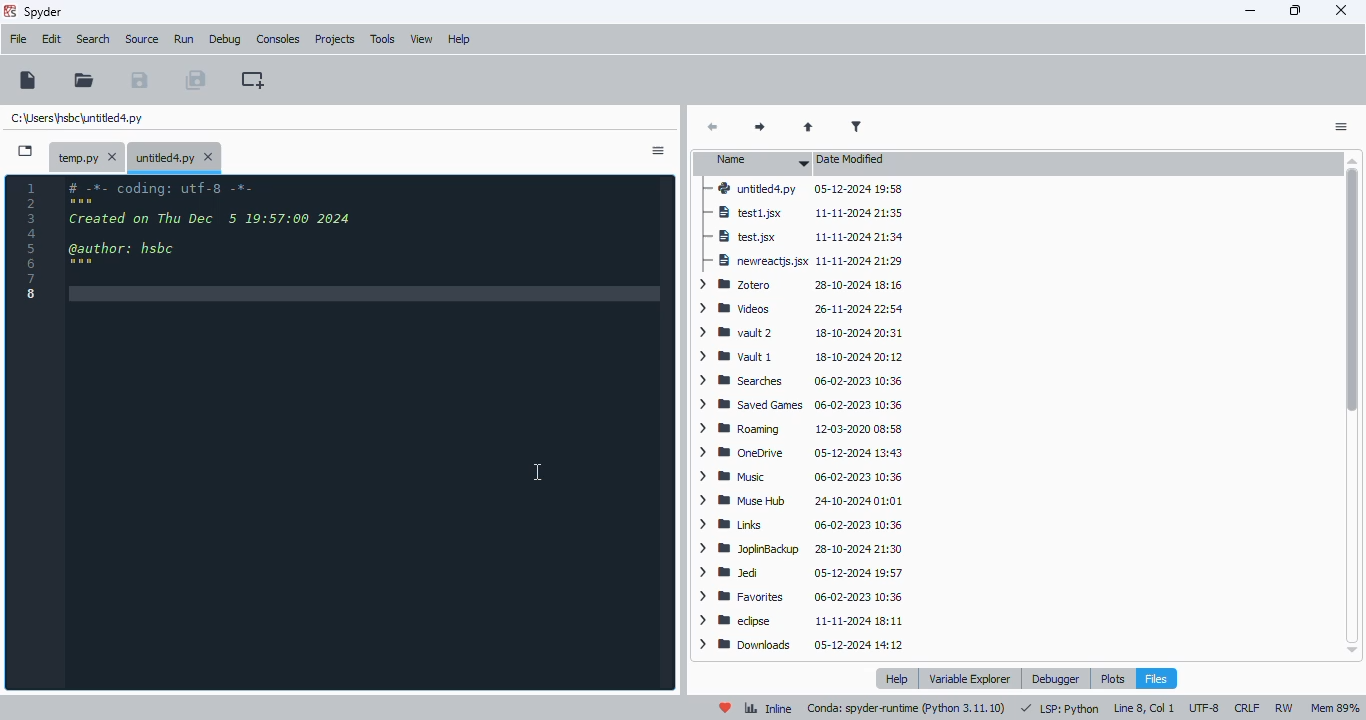  What do you see at coordinates (1342, 11) in the screenshot?
I see `close` at bounding box center [1342, 11].